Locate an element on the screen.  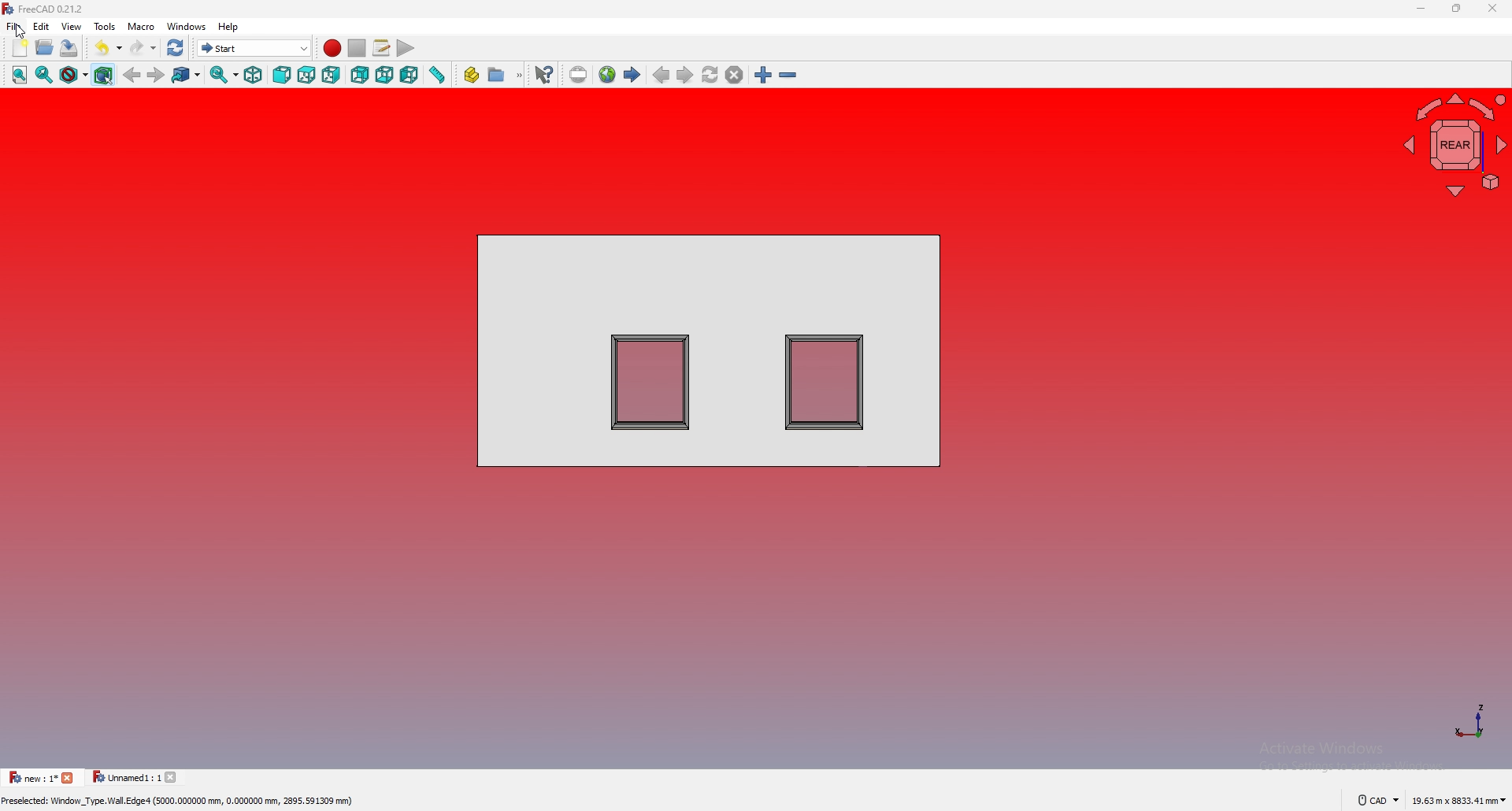
cursor is located at coordinates (20, 30).